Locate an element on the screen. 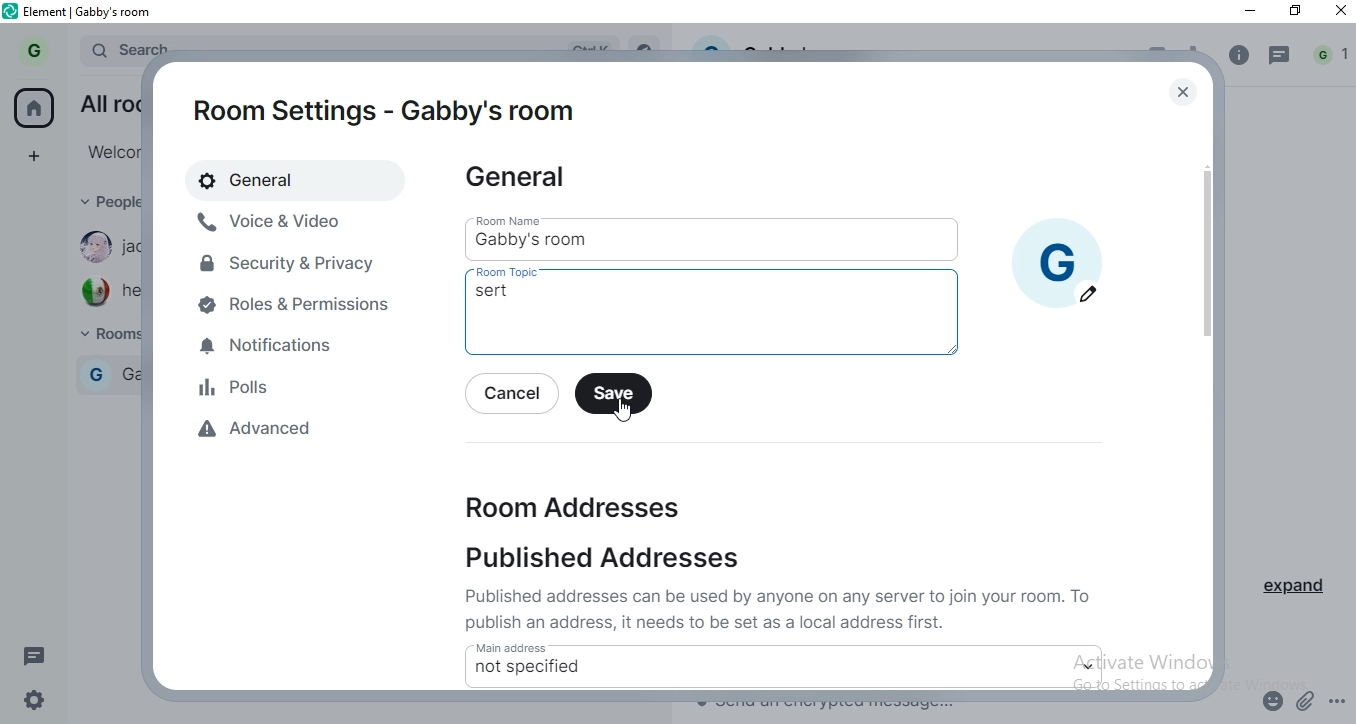 This screenshot has height=724, width=1356. roles & permissions is located at coordinates (298, 306).